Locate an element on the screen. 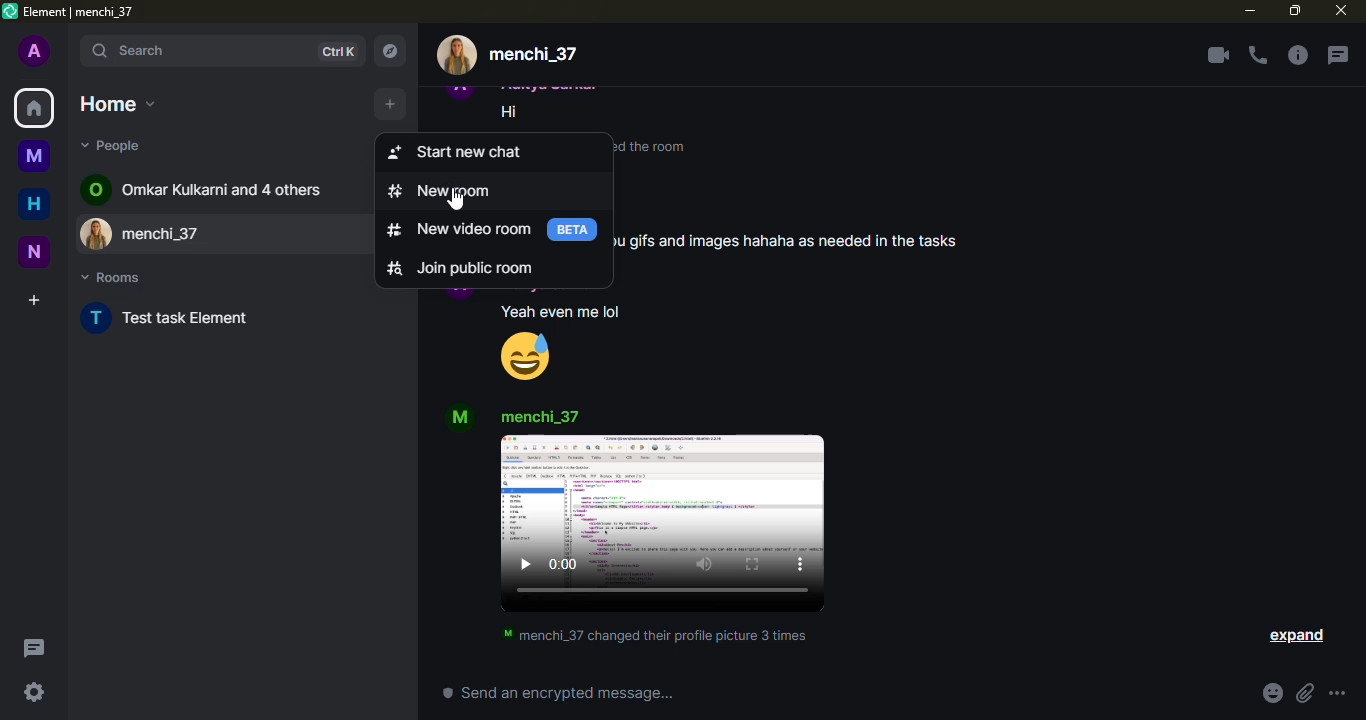  Element | menchi_37 is located at coordinates (79, 12).